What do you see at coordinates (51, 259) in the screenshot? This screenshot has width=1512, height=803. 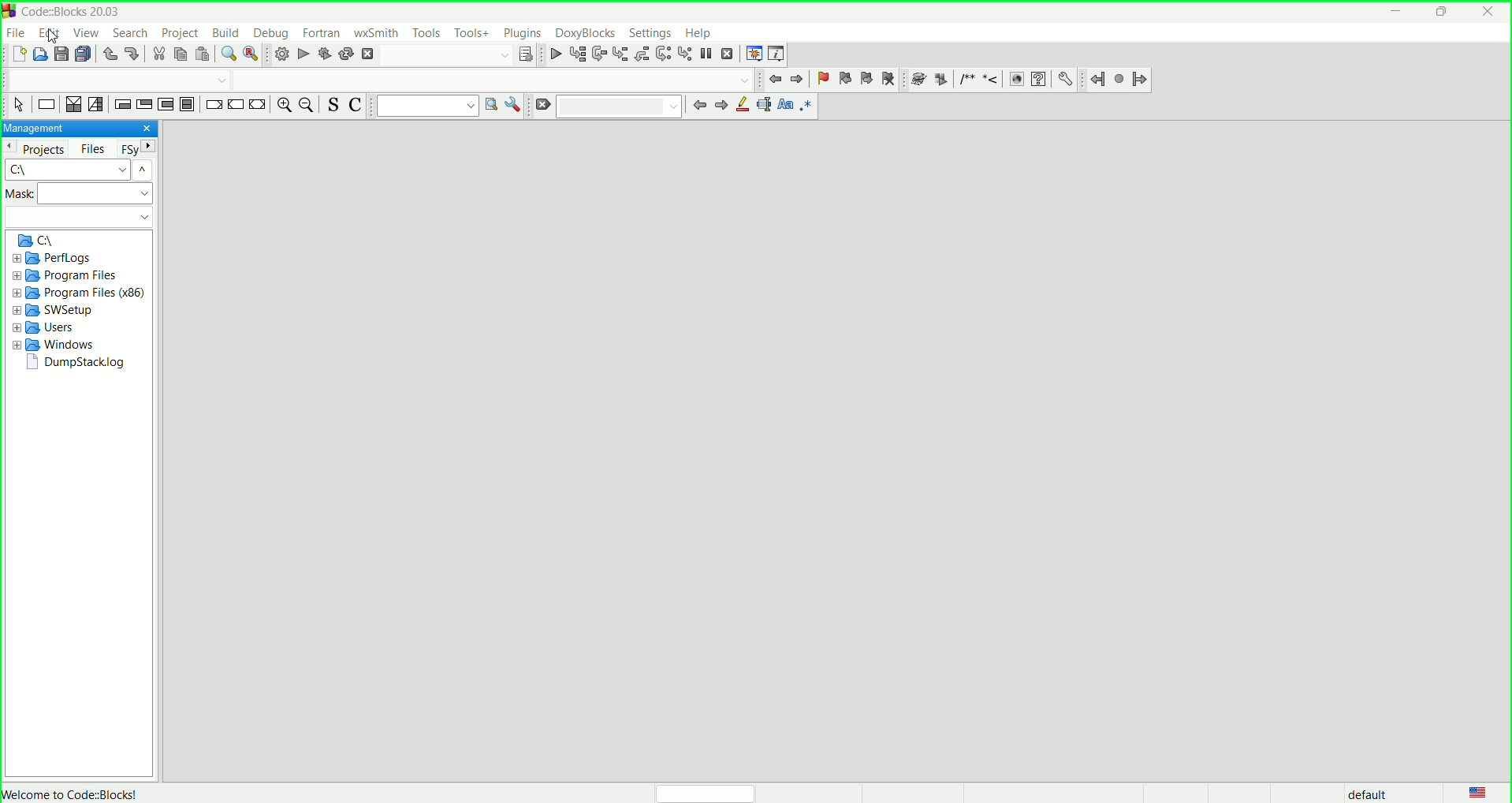 I see `perflogs` at bounding box center [51, 259].